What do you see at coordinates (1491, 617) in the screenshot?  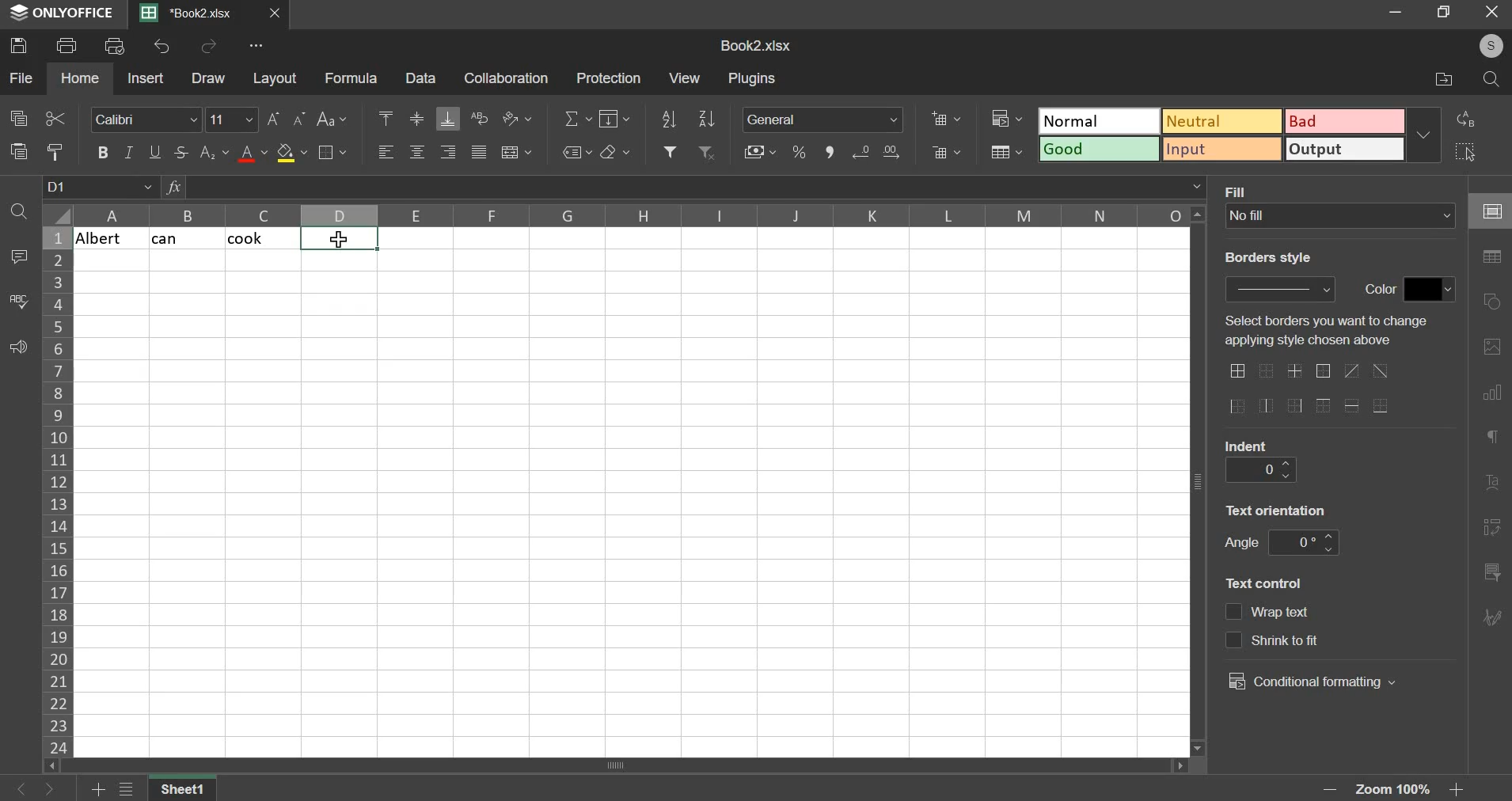 I see `signature` at bounding box center [1491, 617].